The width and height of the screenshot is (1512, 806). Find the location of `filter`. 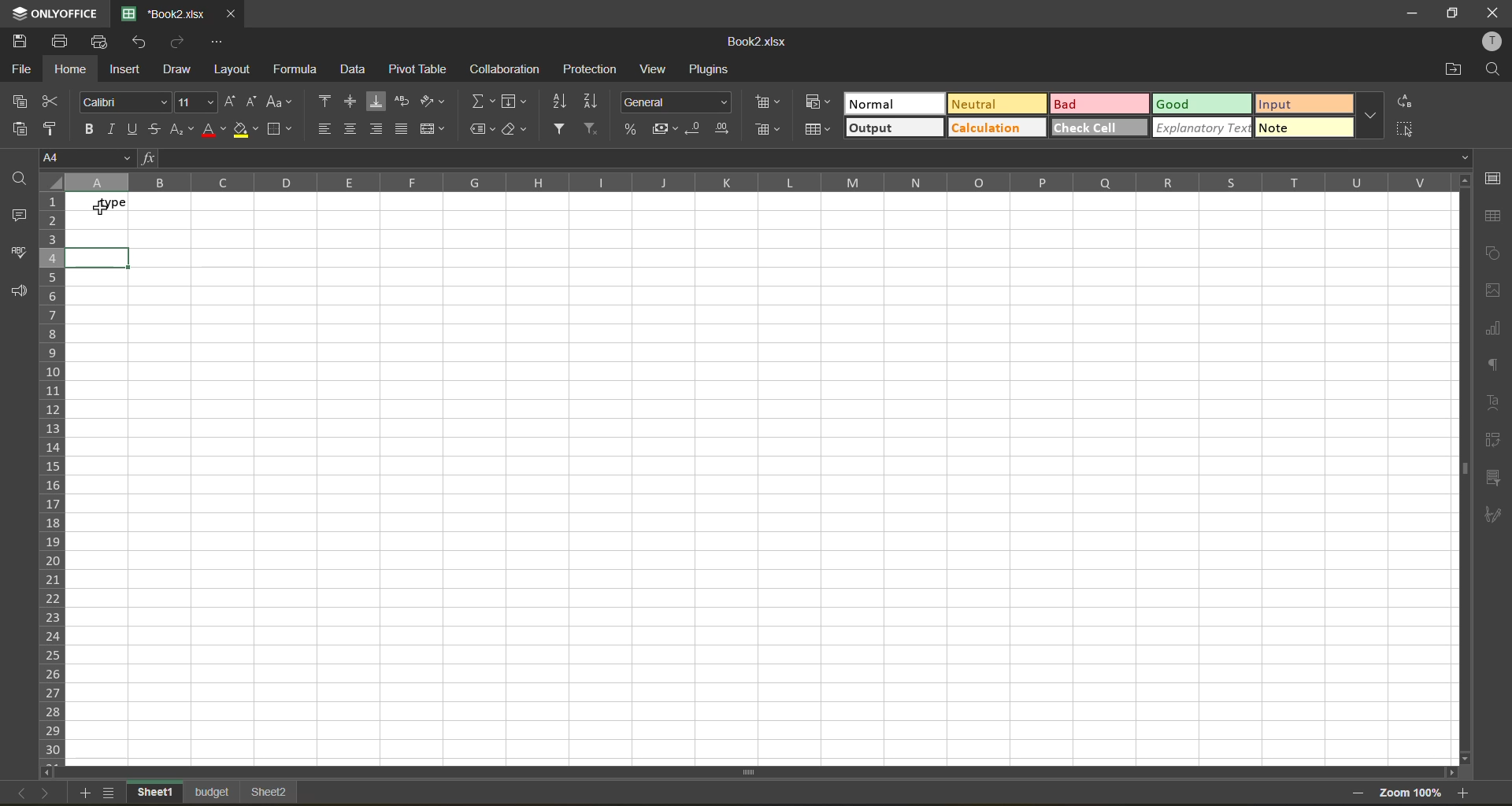

filter is located at coordinates (560, 130).